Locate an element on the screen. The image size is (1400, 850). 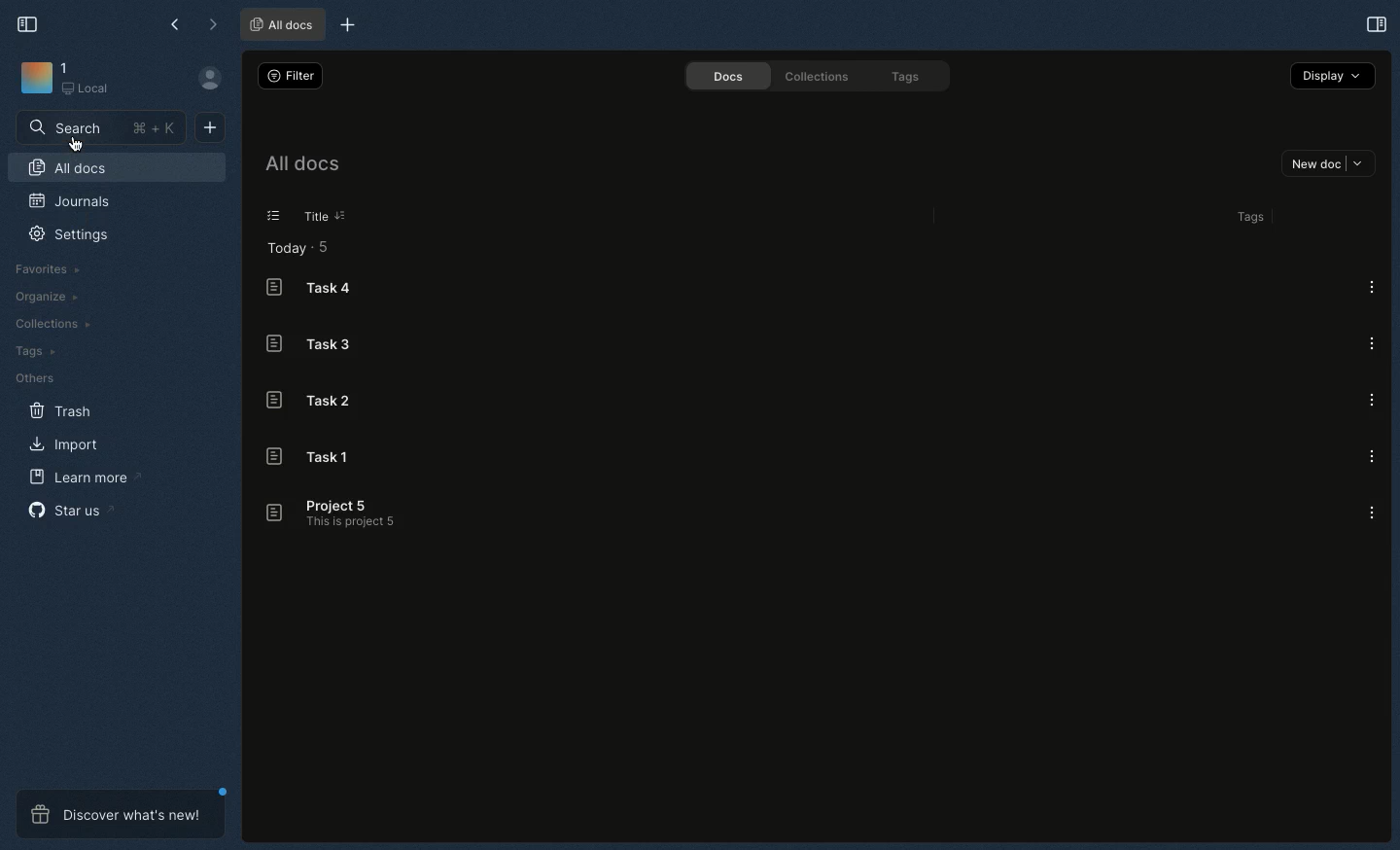
Task 3 is located at coordinates (304, 341).